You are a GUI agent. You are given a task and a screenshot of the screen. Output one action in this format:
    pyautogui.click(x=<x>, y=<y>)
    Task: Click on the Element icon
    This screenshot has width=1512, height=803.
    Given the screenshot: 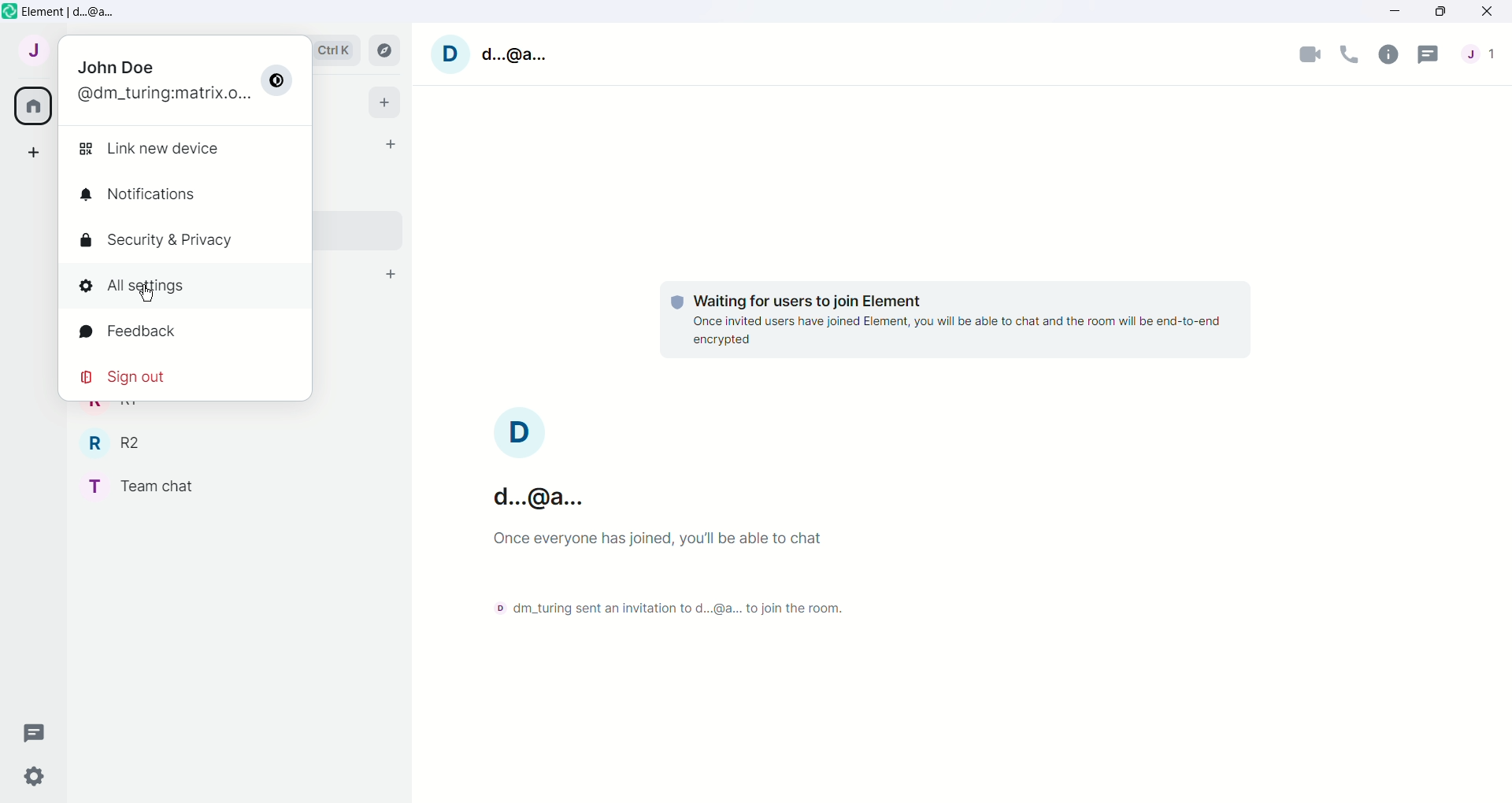 What is the action you would take?
    pyautogui.click(x=9, y=11)
    